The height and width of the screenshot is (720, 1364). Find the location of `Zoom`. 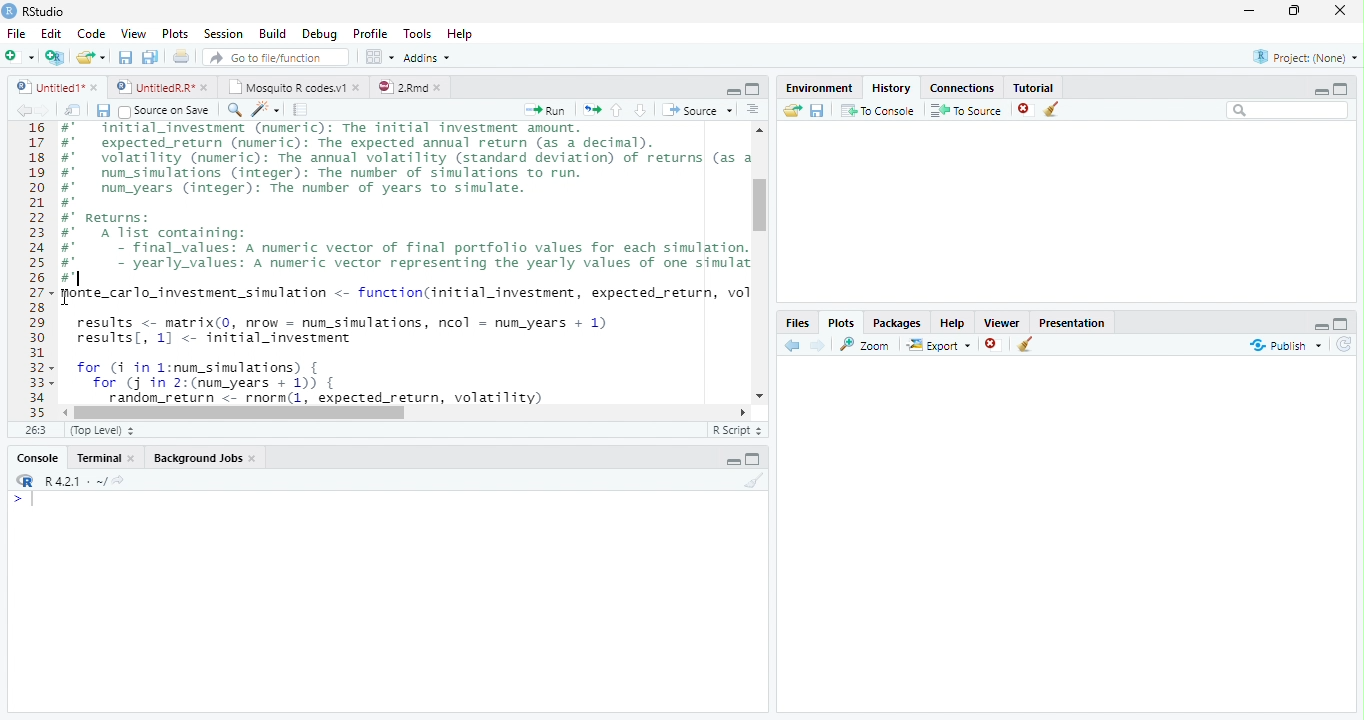

Zoom is located at coordinates (866, 344).